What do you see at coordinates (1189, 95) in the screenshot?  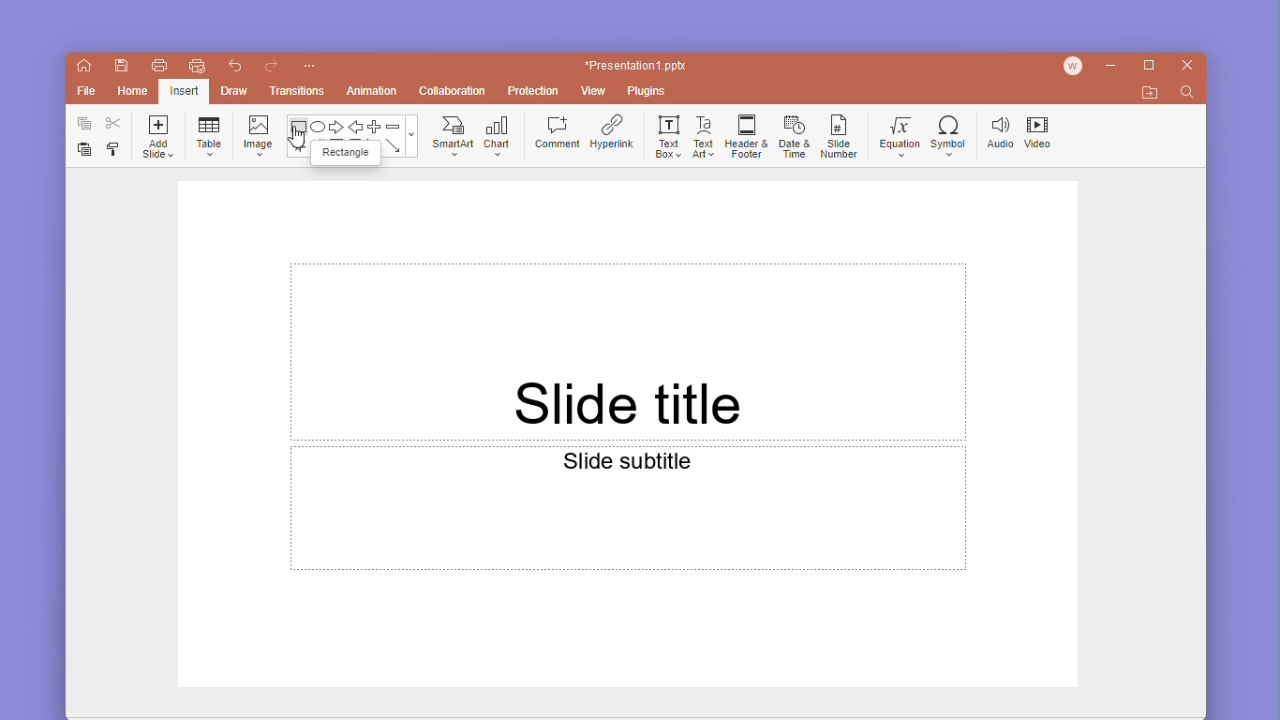 I see `find` at bounding box center [1189, 95].